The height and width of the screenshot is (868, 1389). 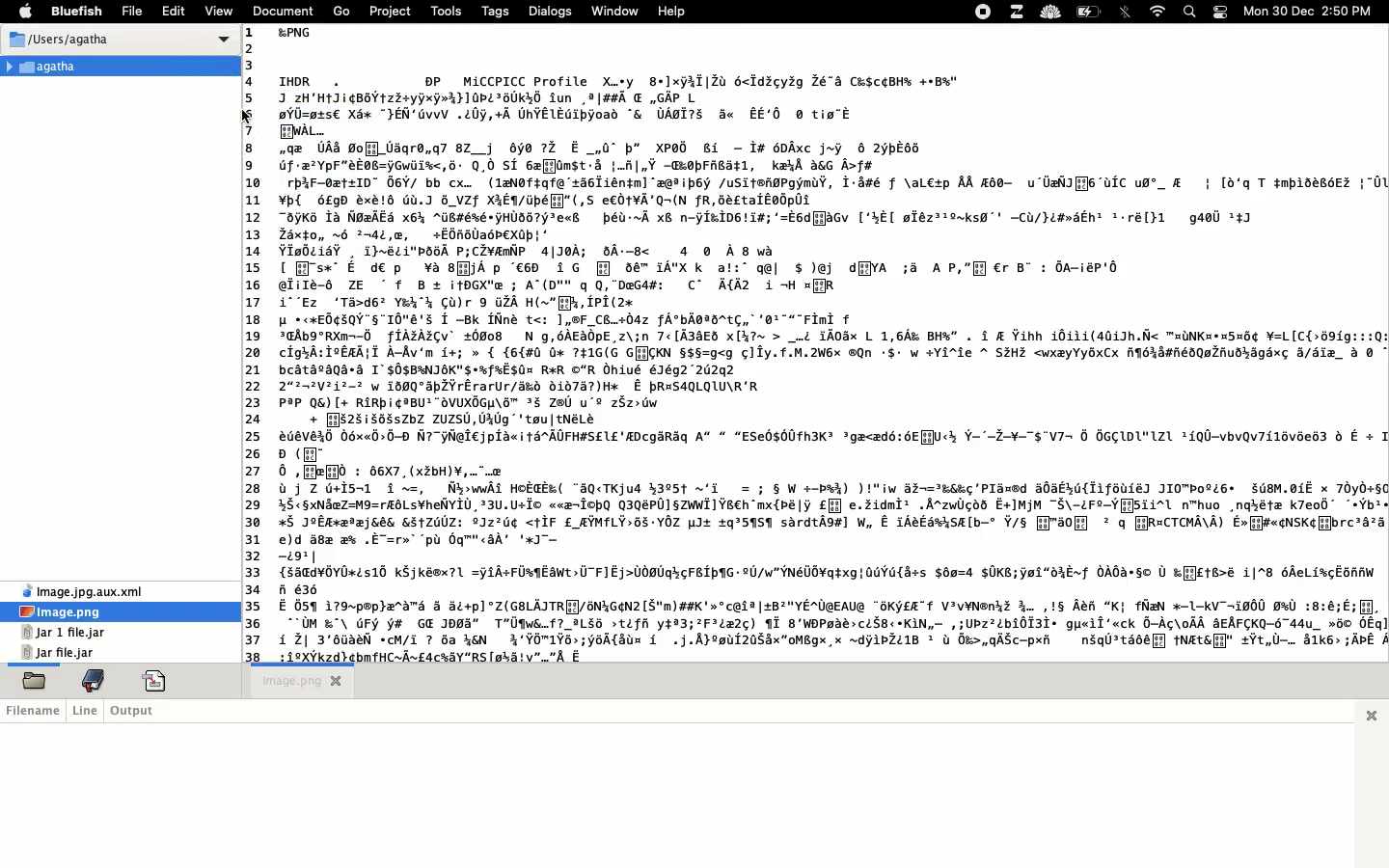 I want to click on project, so click(x=390, y=12).